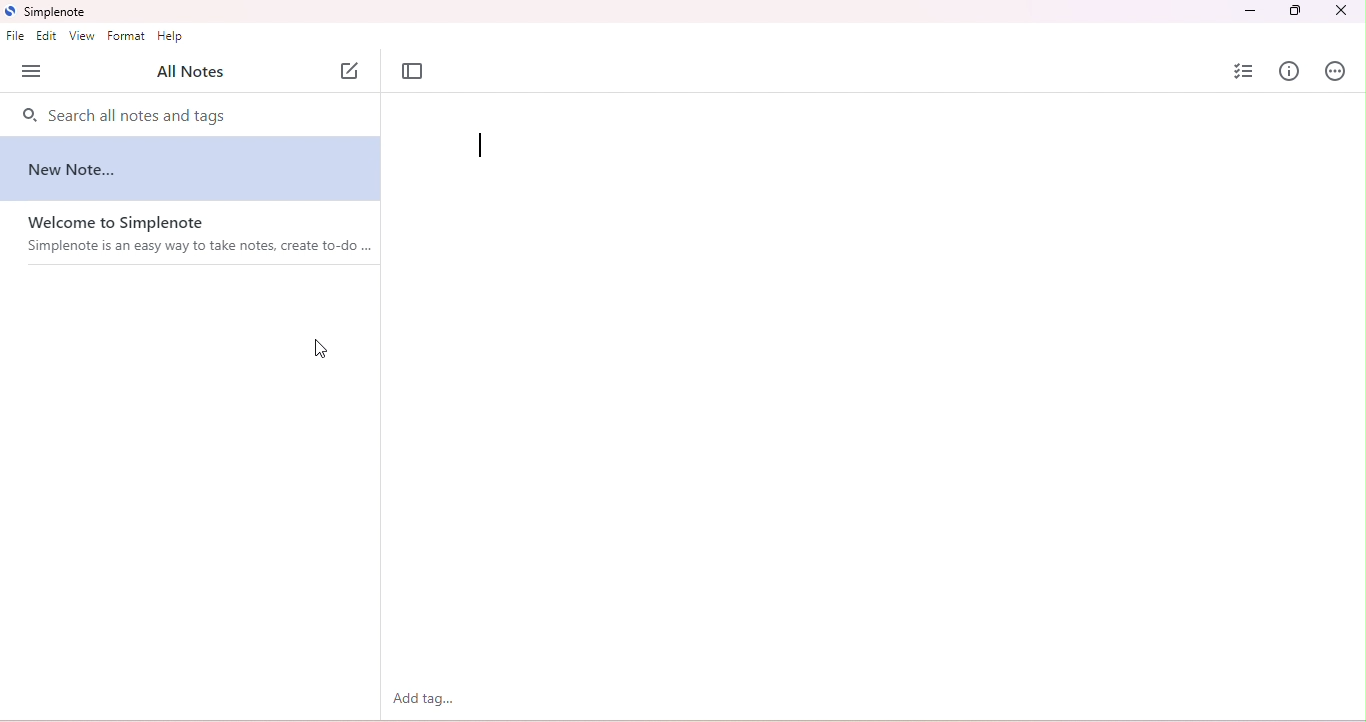 Image resolution: width=1366 pixels, height=722 pixels. What do you see at coordinates (172, 38) in the screenshot?
I see `help` at bounding box center [172, 38].